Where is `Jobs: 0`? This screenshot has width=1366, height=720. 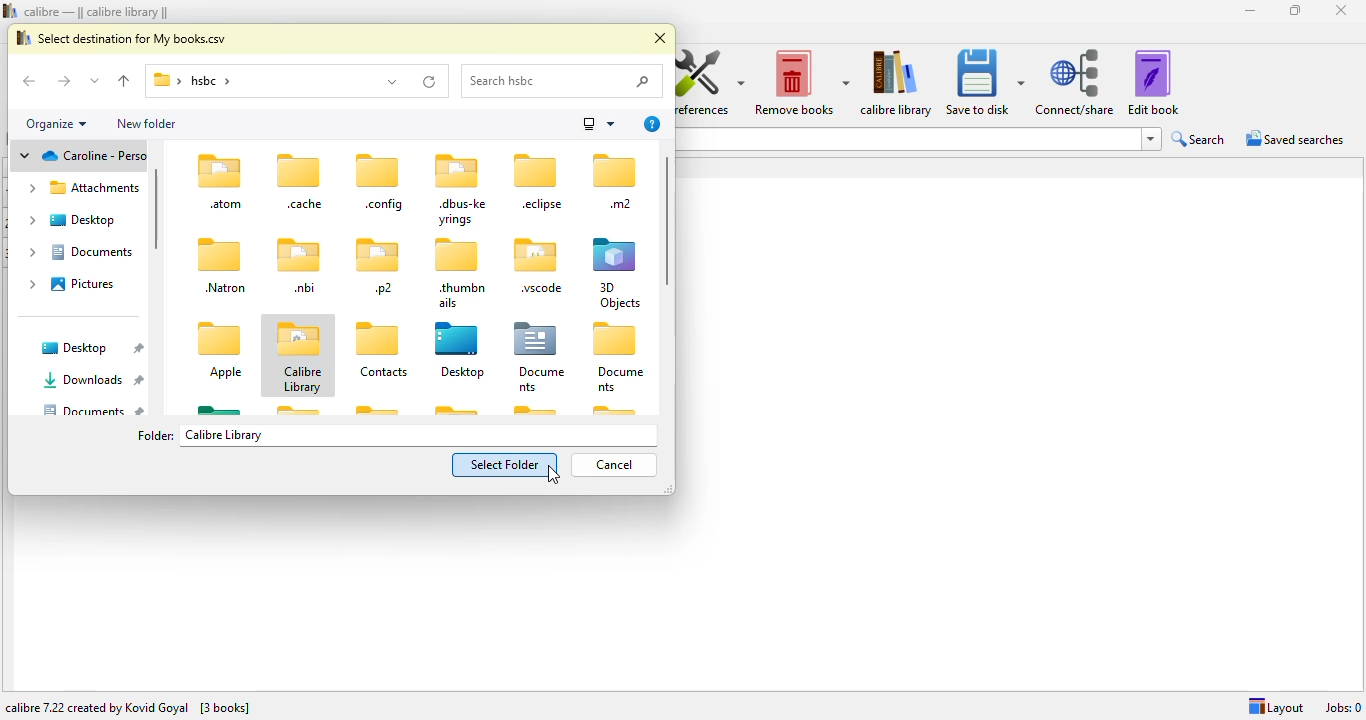
Jobs: 0 is located at coordinates (1342, 706).